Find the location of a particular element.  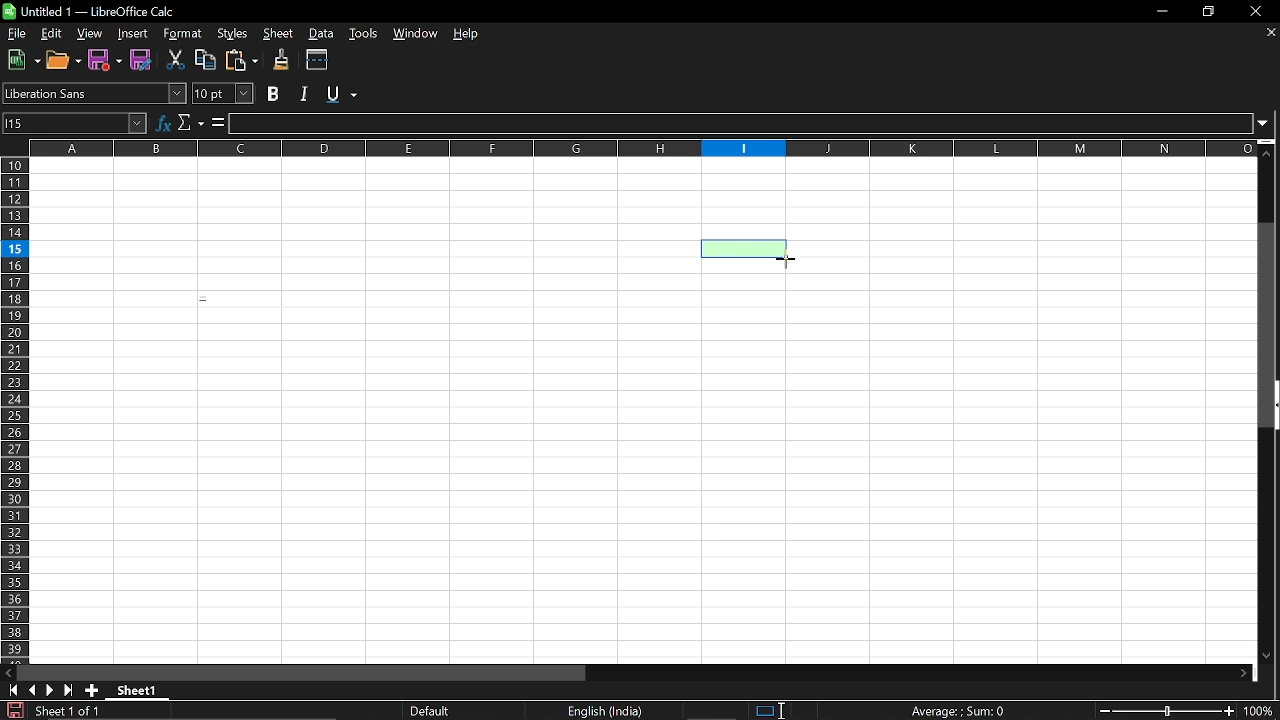

Current window is located at coordinates (99, 11).